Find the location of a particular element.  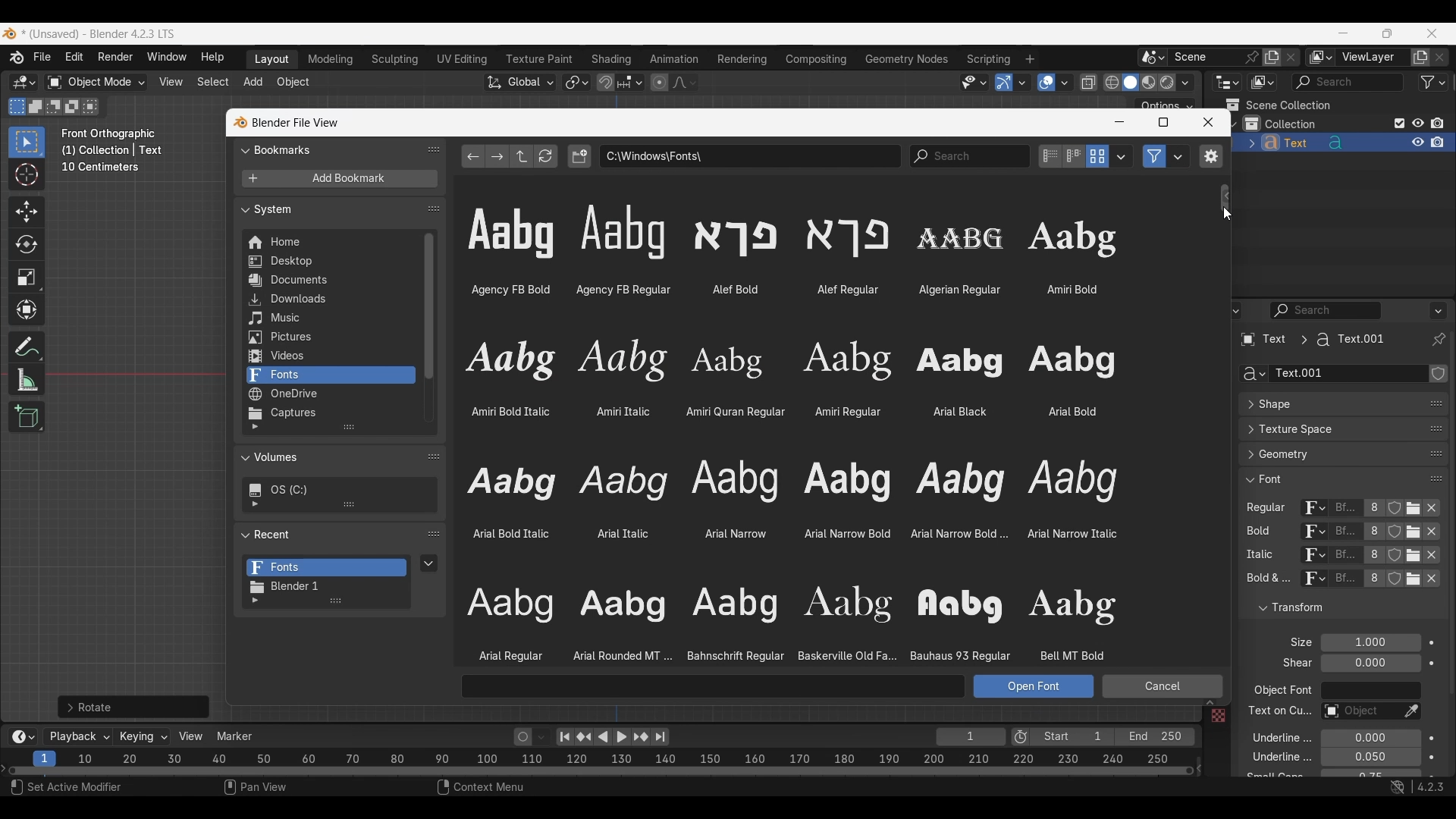

pan view is located at coordinates (273, 789).